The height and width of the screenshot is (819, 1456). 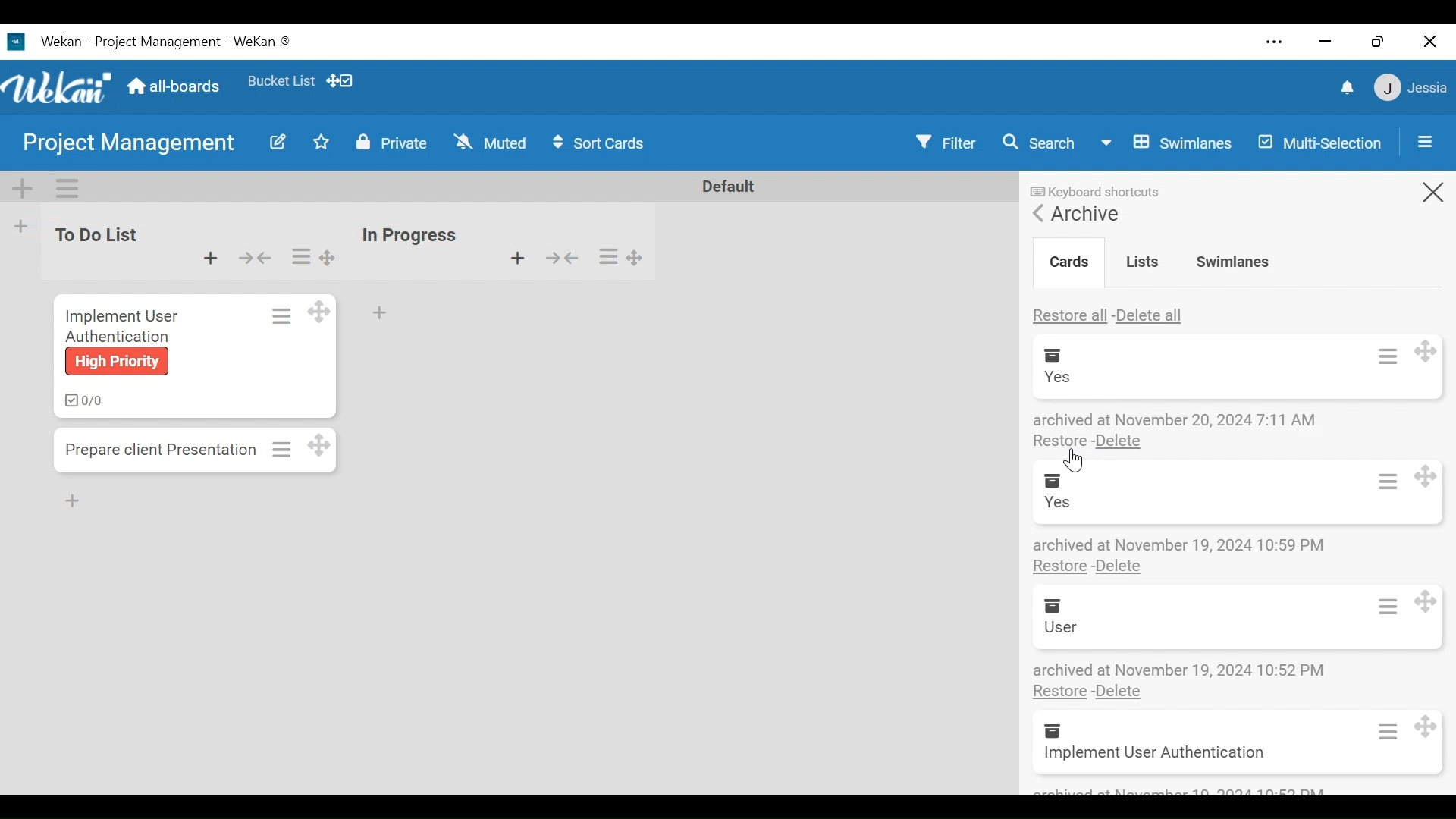 I want to click on Lists, so click(x=1144, y=260).